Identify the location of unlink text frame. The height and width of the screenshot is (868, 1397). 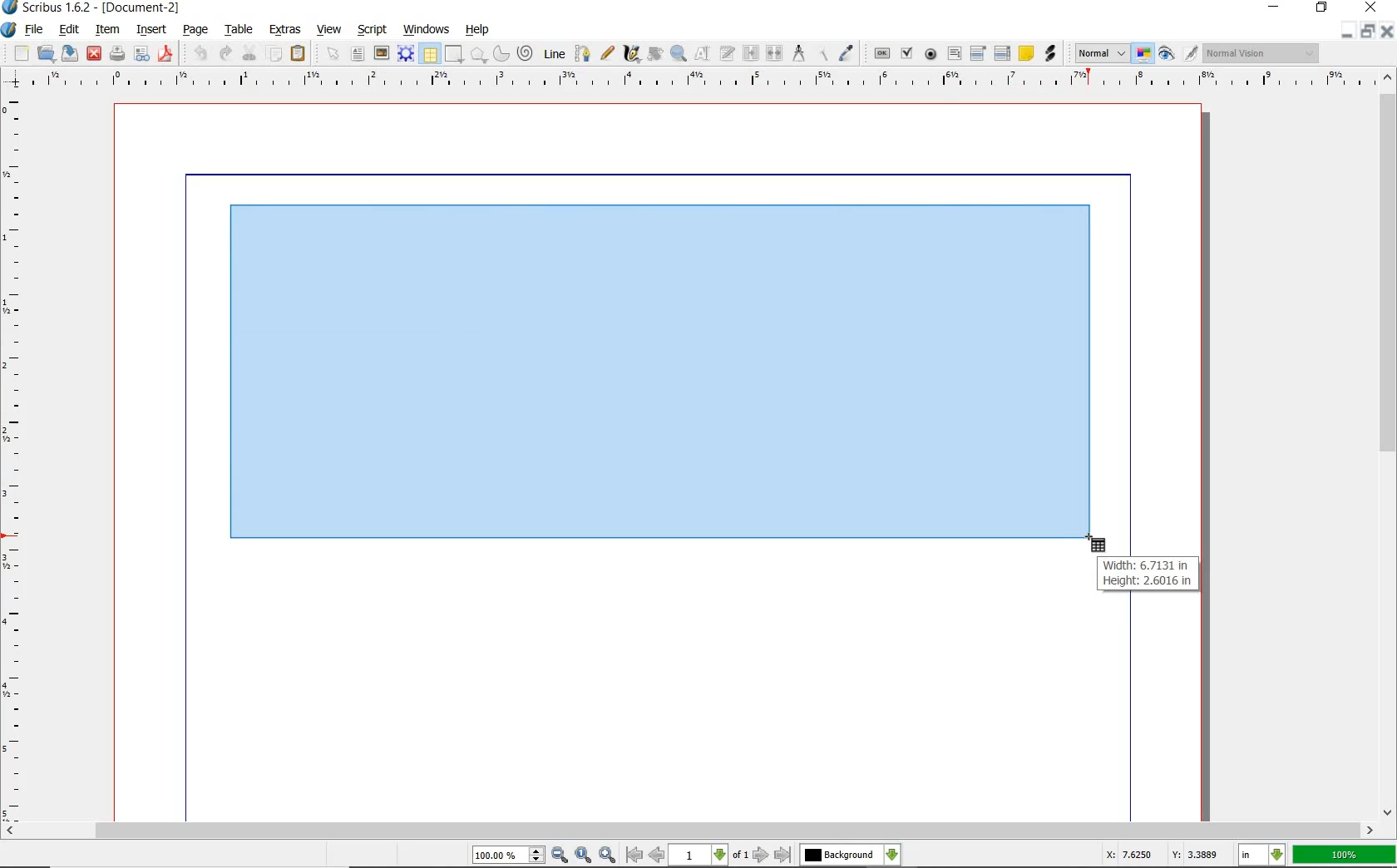
(772, 54).